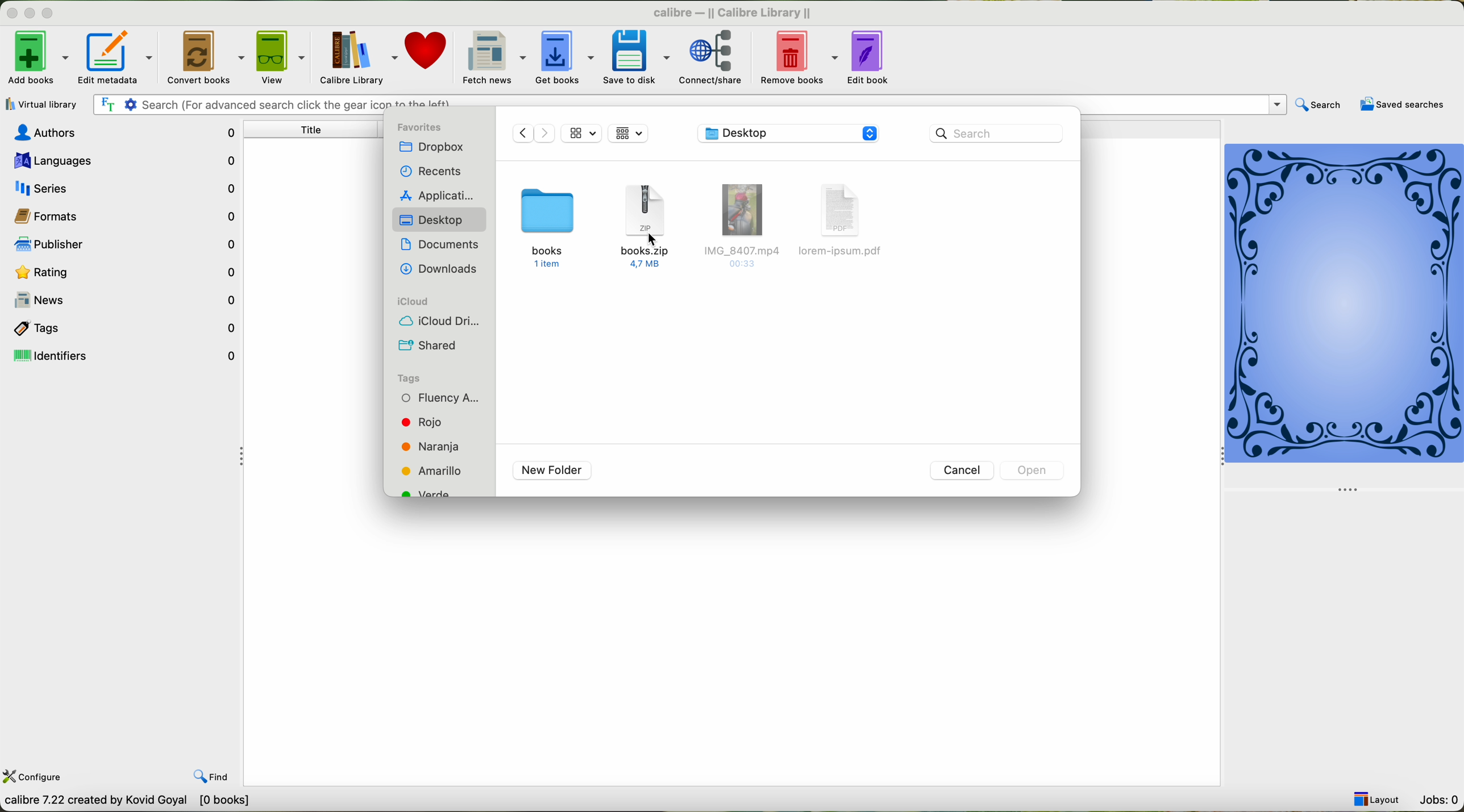  Describe the element at coordinates (564, 58) in the screenshot. I see `get books` at that location.